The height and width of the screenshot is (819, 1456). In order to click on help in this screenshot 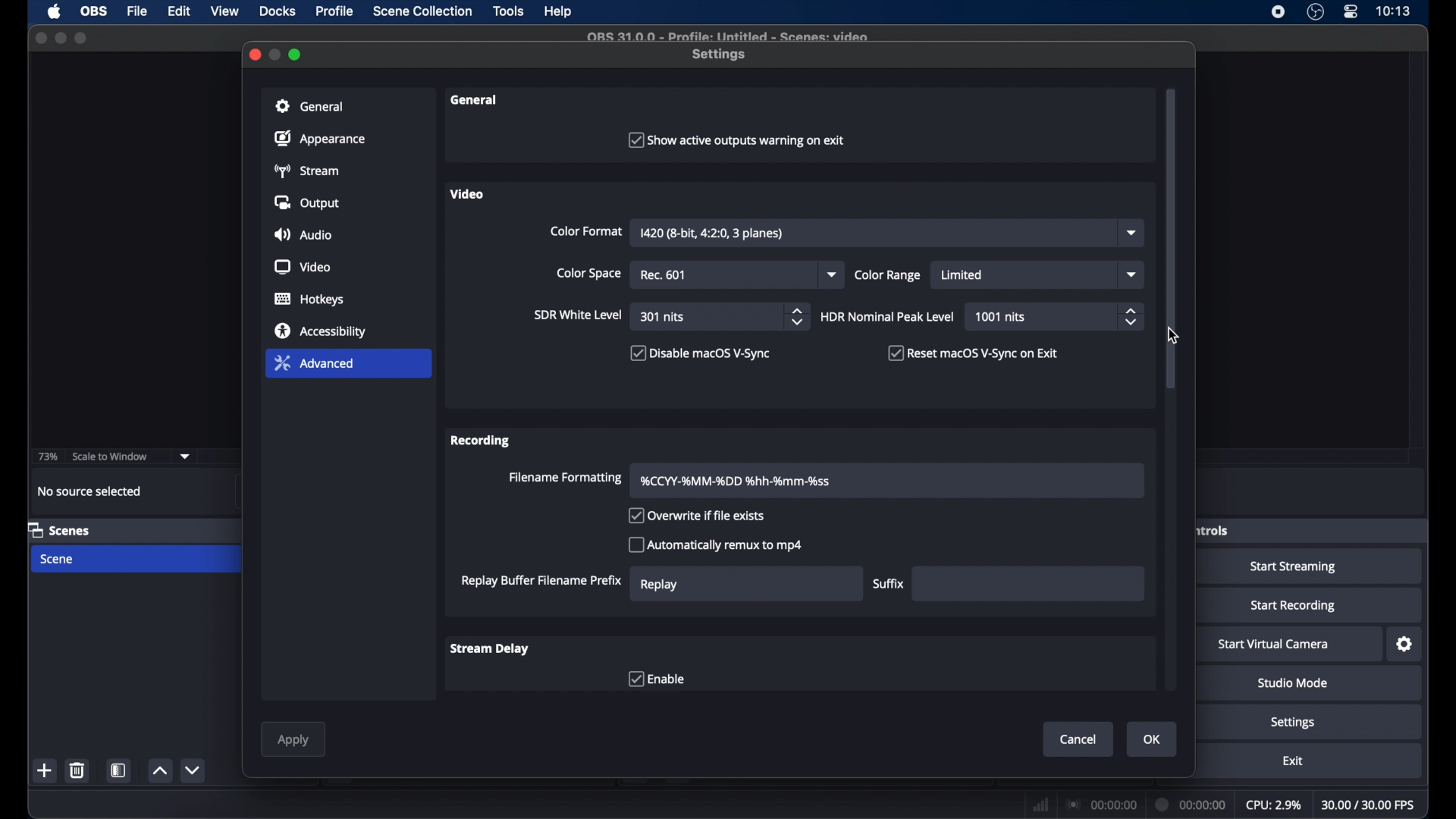, I will do `click(559, 12)`.